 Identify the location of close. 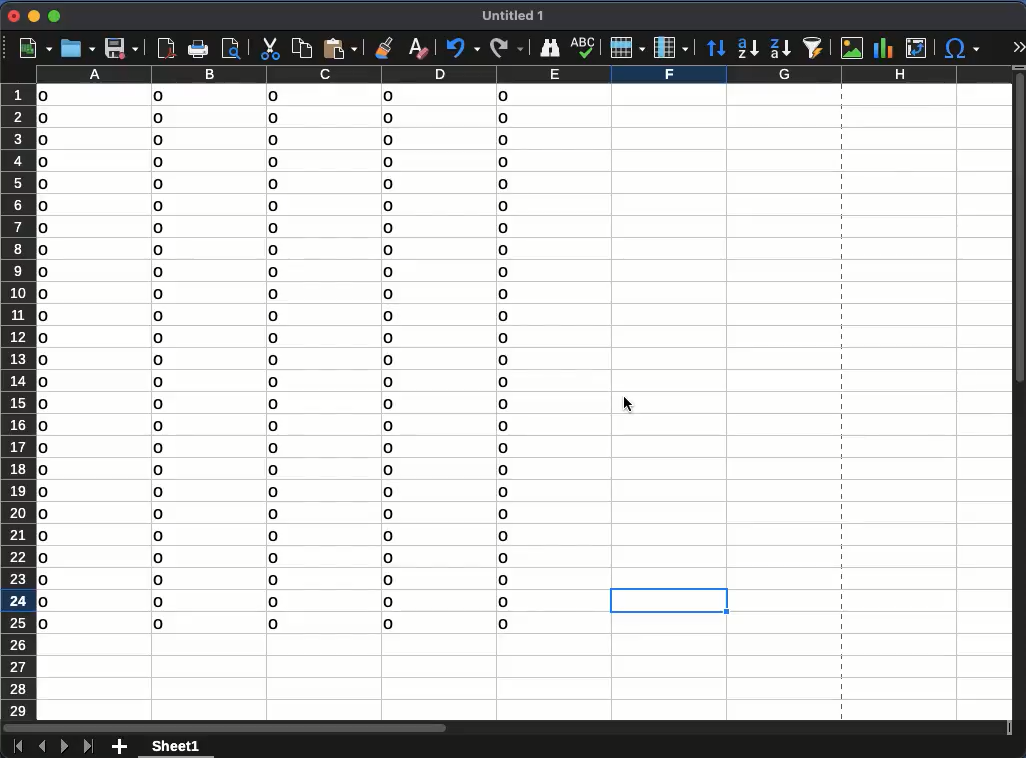
(13, 16).